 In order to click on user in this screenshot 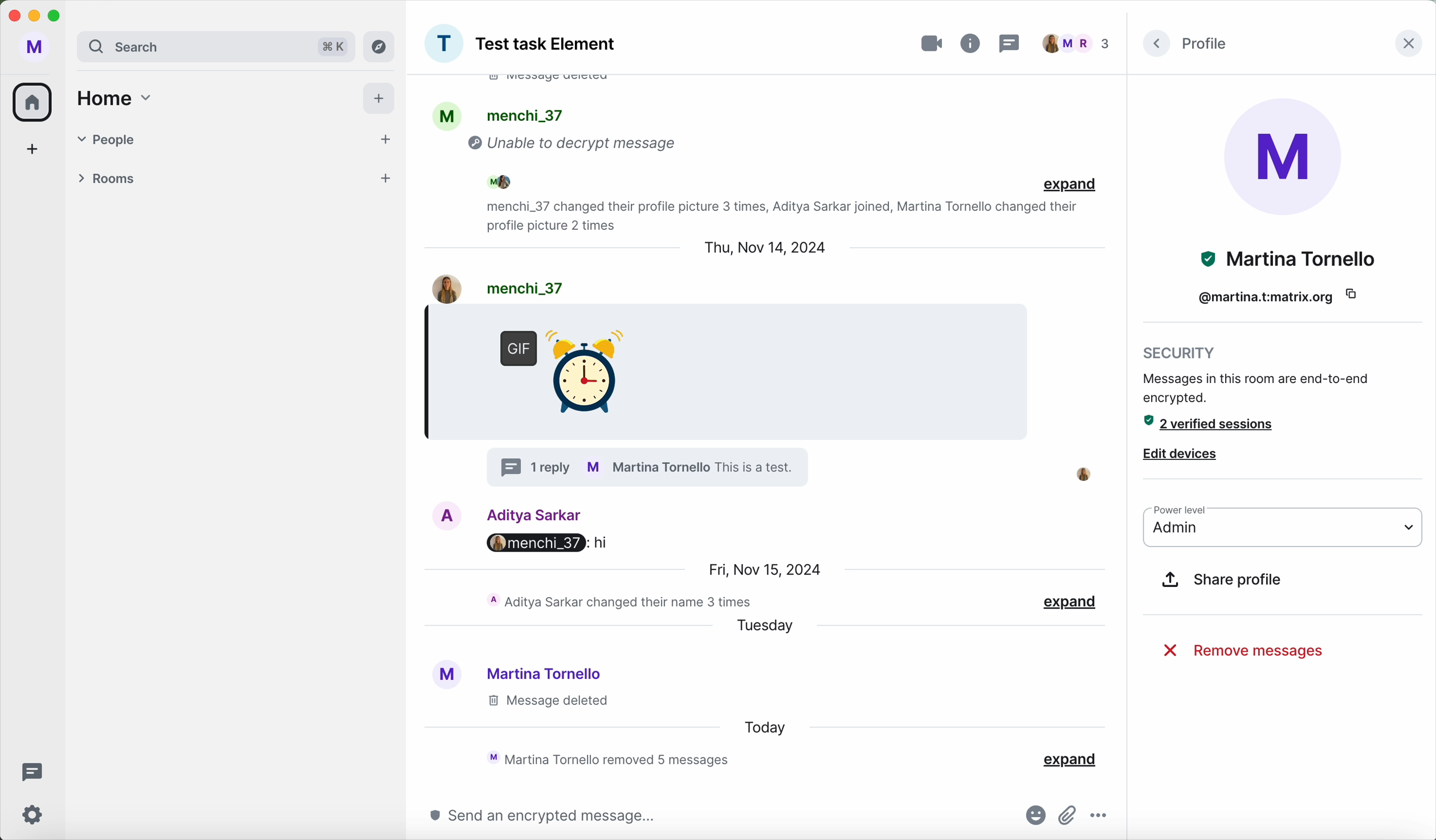, I will do `click(1286, 259)`.